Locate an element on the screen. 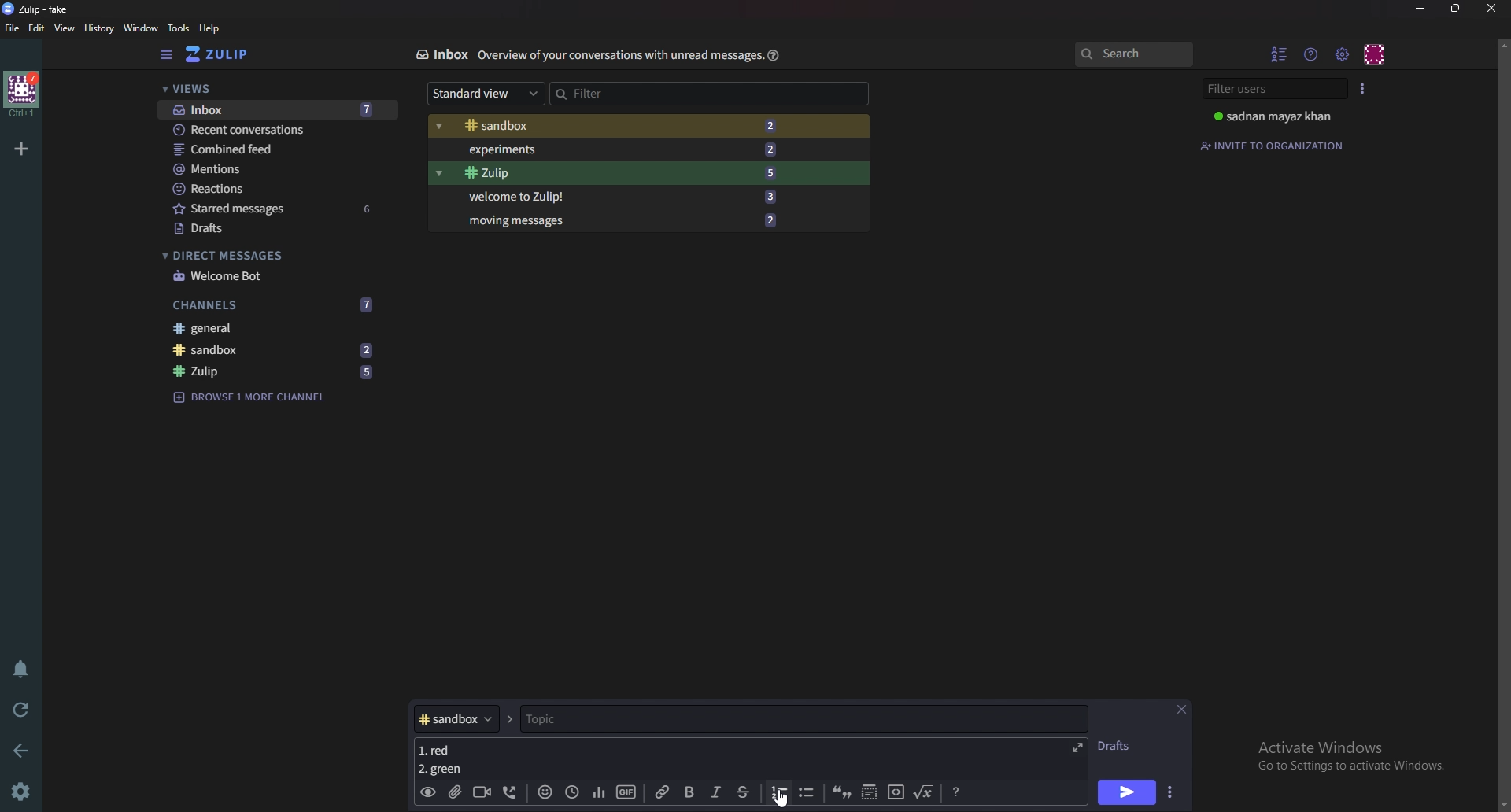  Edit is located at coordinates (38, 28).